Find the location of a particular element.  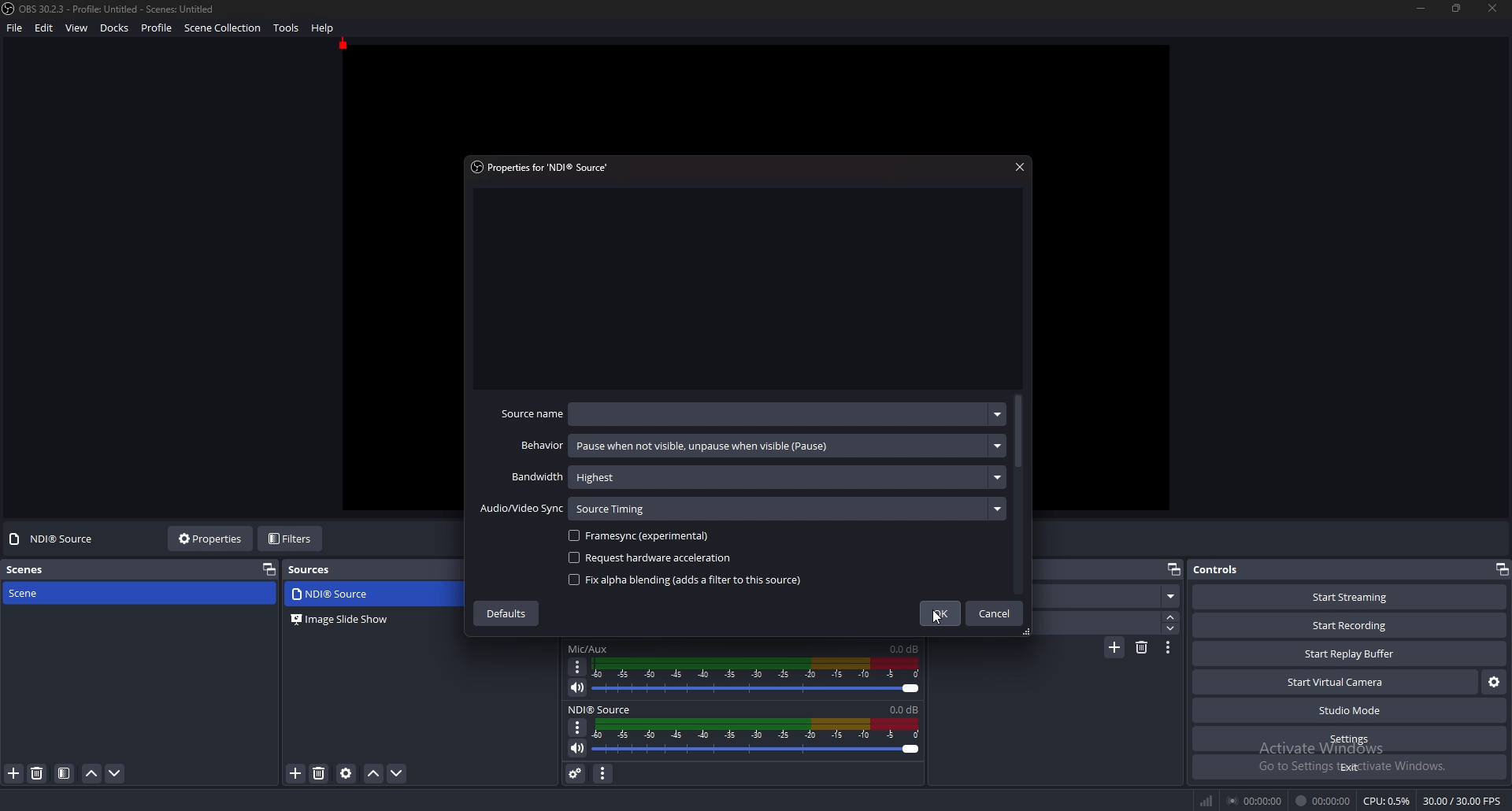

minimize is located at coordinates (1422, 9).